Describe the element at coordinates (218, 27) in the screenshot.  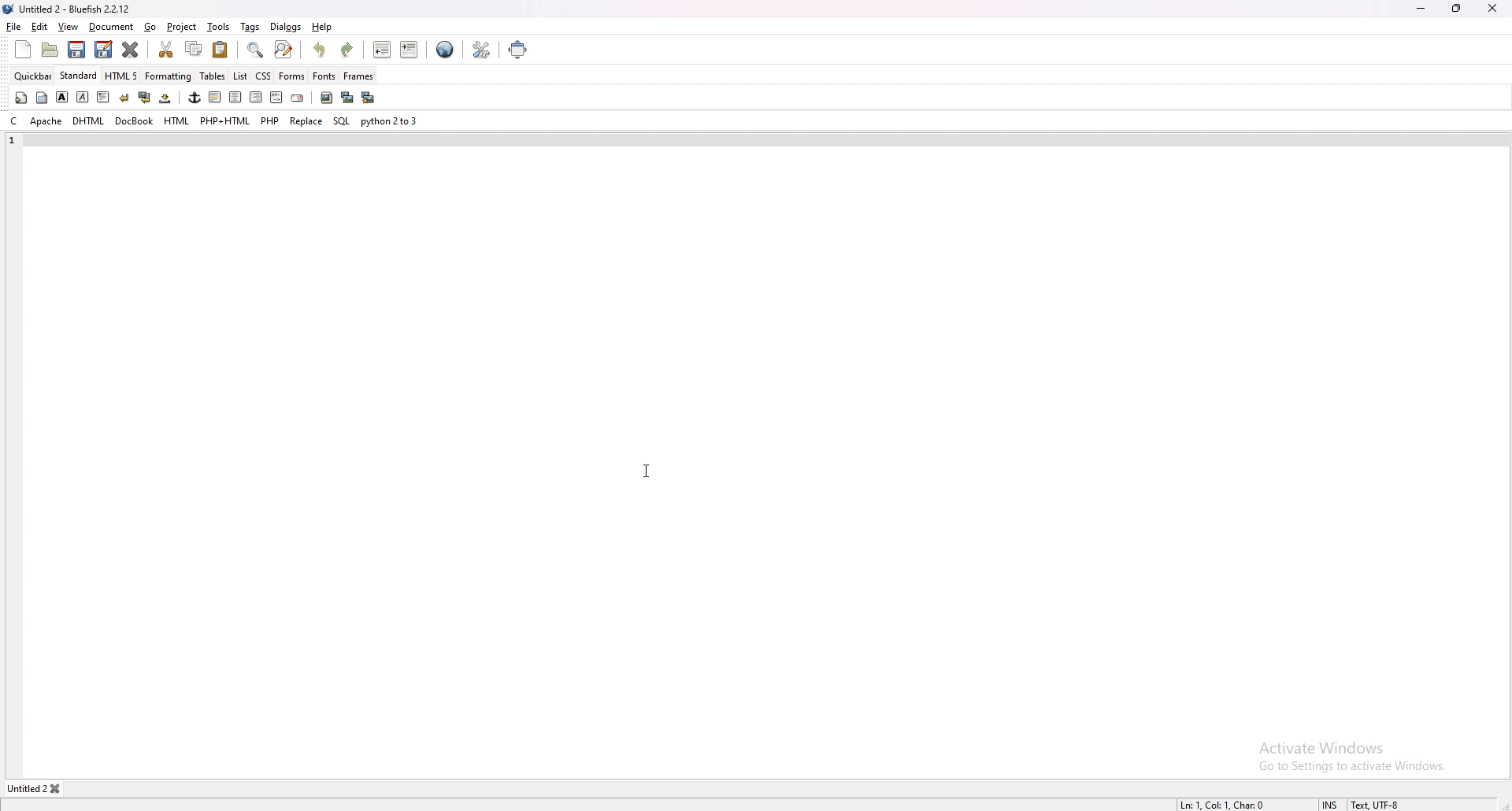
I see `tools` at that location.